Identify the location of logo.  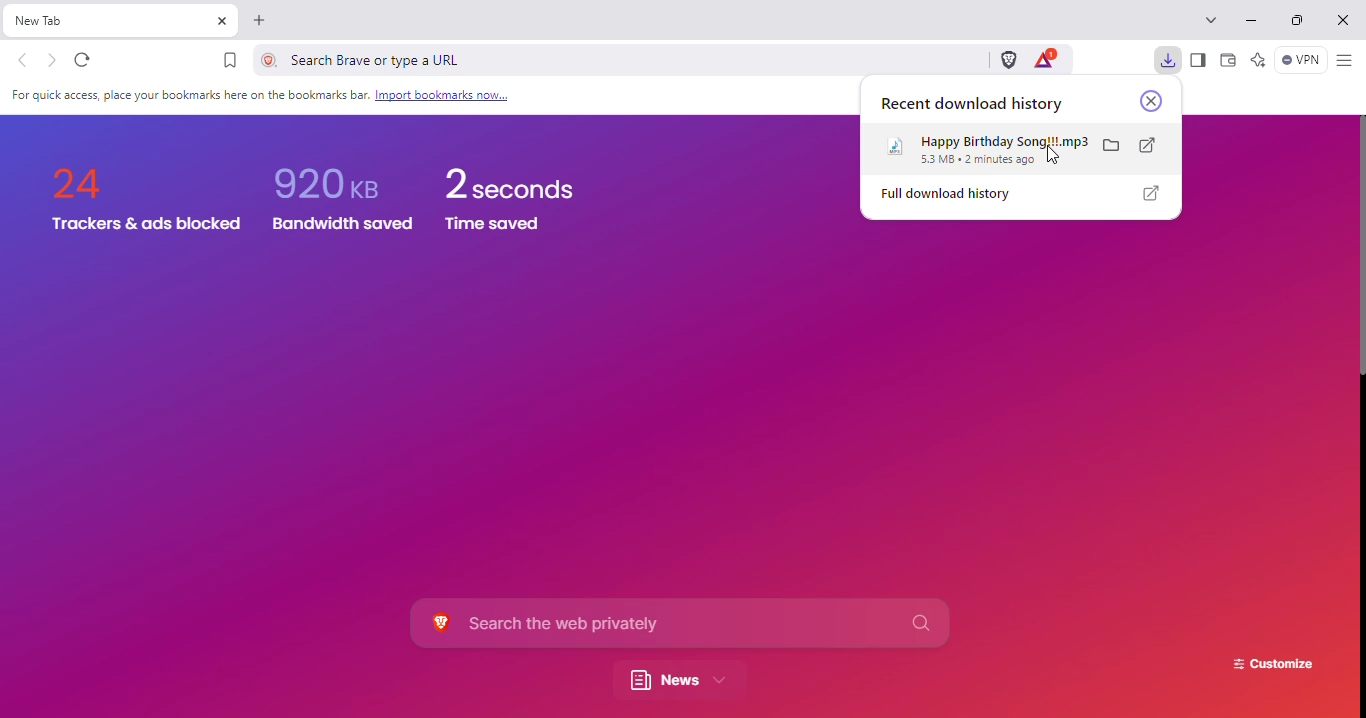
(892, 150).